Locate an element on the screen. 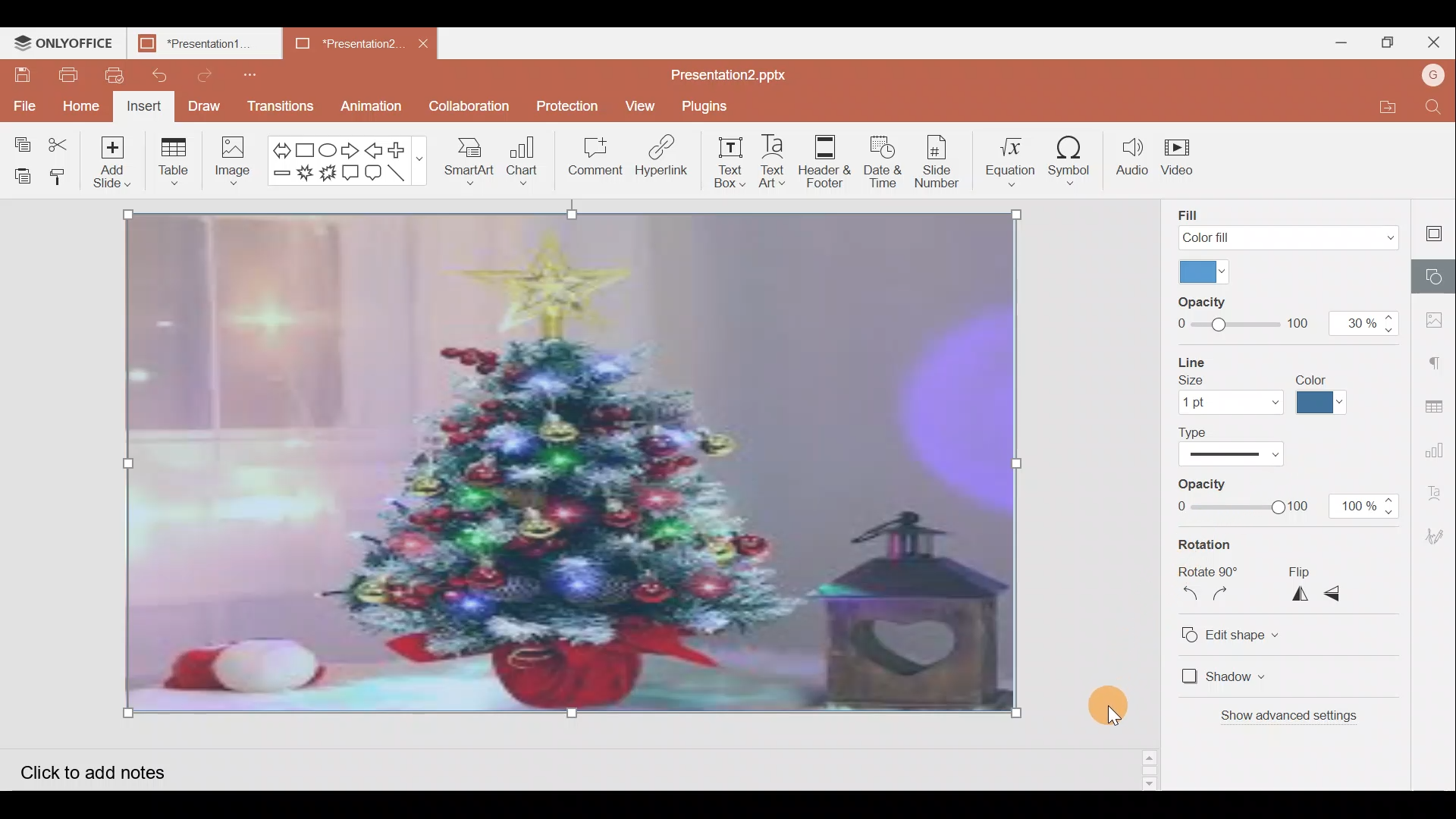 The width and height of the screenshot is (1456, 819). Date & time is located at coordinates (883, 161).